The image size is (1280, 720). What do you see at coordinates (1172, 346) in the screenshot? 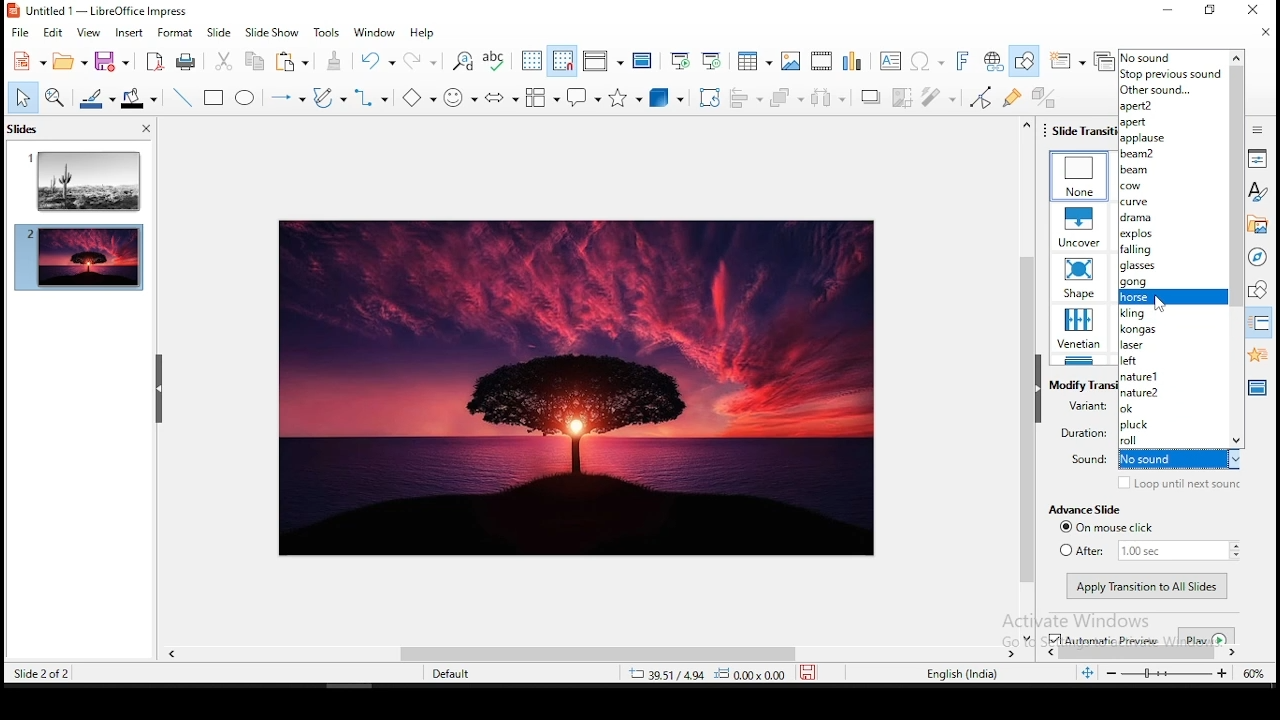
I see `laser` at bounding box center [1172, 346].